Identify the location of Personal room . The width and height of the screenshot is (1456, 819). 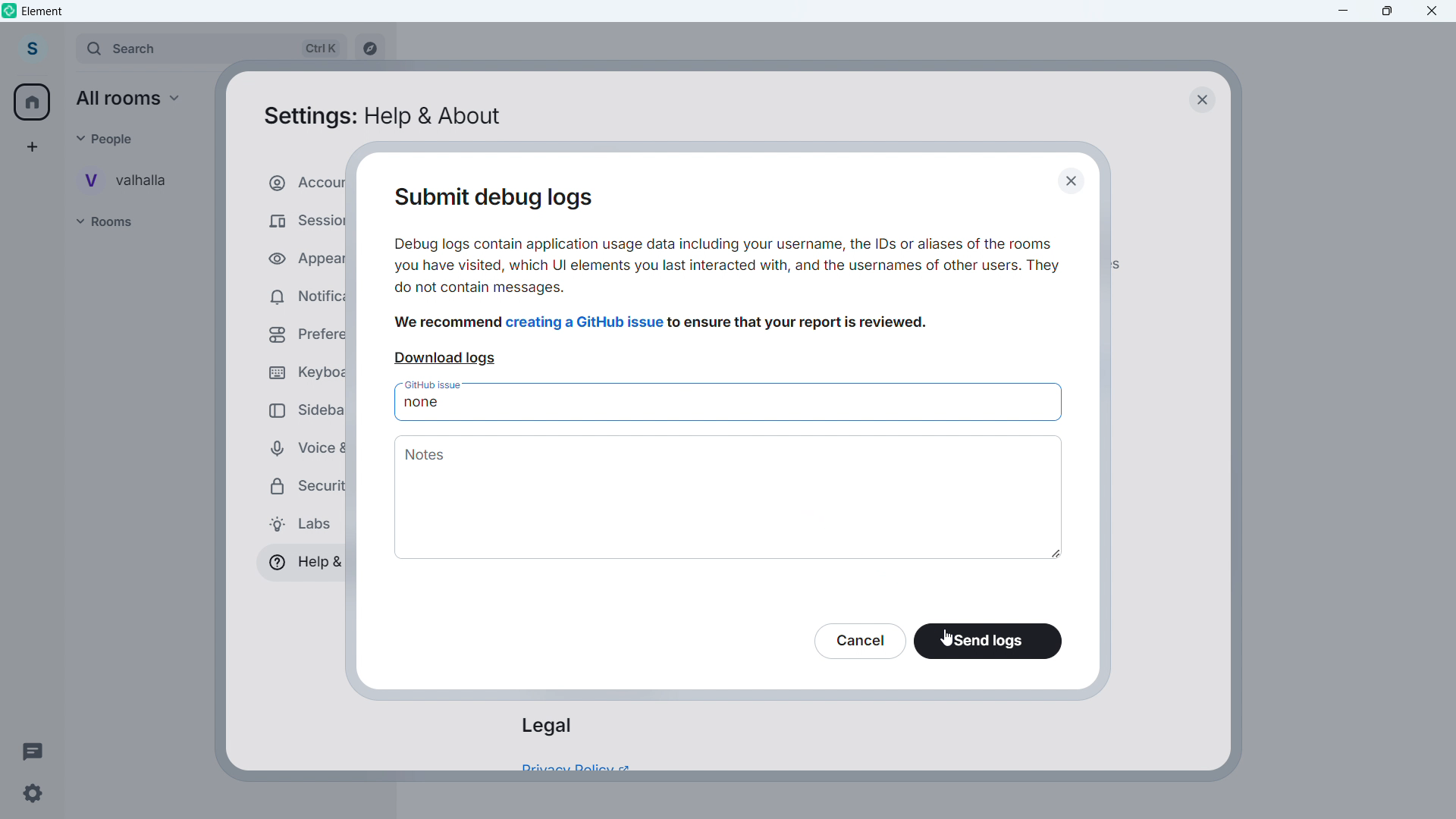
(133, 180).